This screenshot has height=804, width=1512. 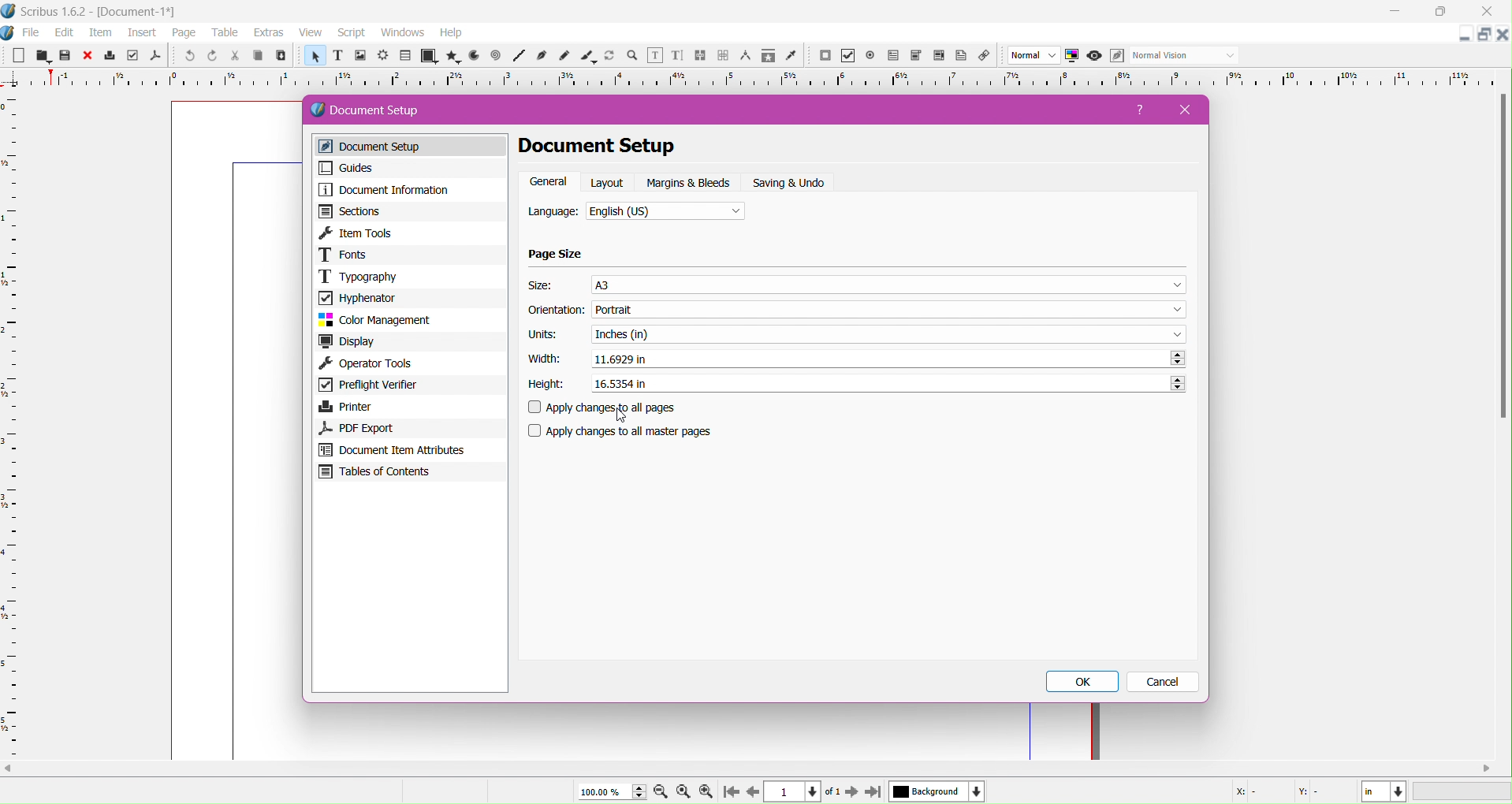 What do you see at coordinates (380, 110) in the screenshot?
I see `Document Setup` at bounding box center [380, 110].